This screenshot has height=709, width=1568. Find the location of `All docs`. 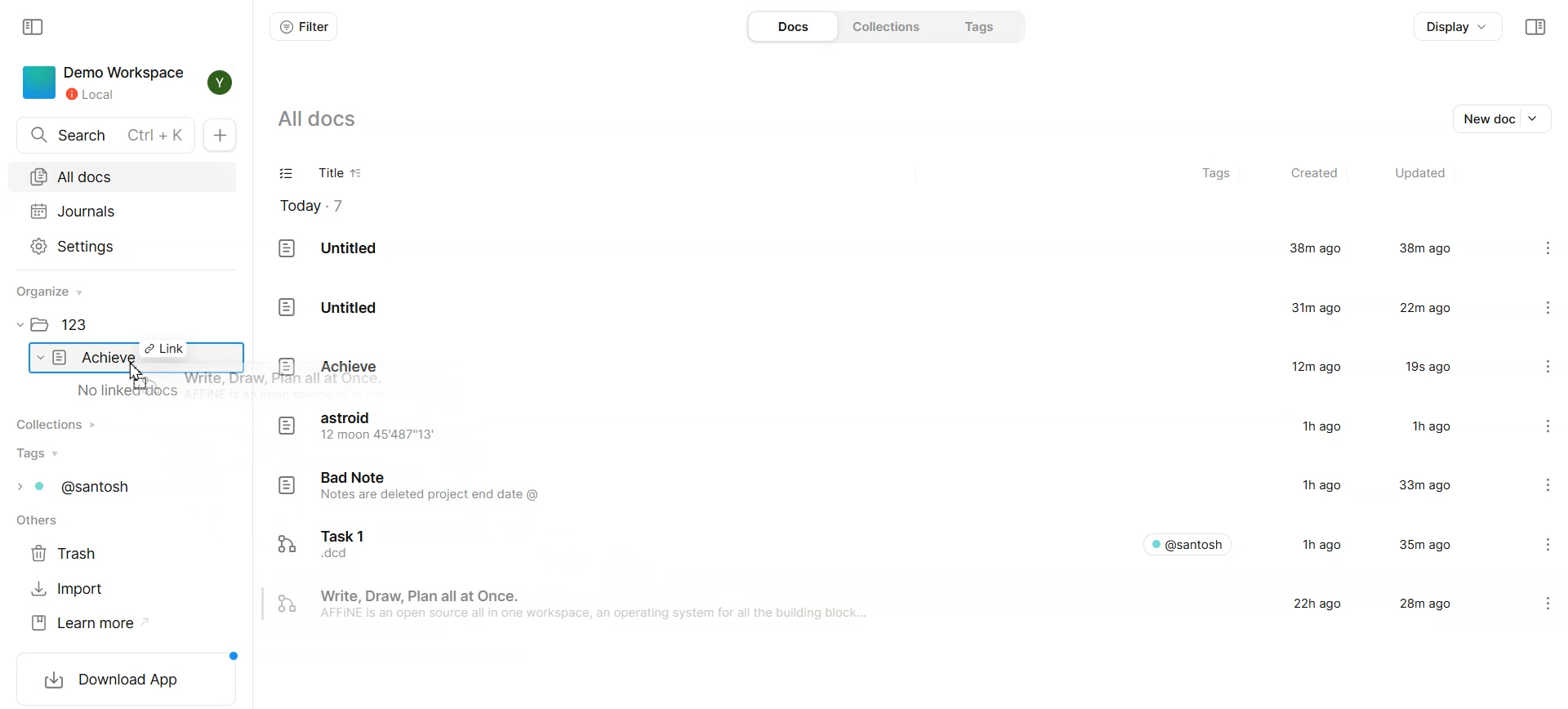

All docs is located at coordinates (122, 176).